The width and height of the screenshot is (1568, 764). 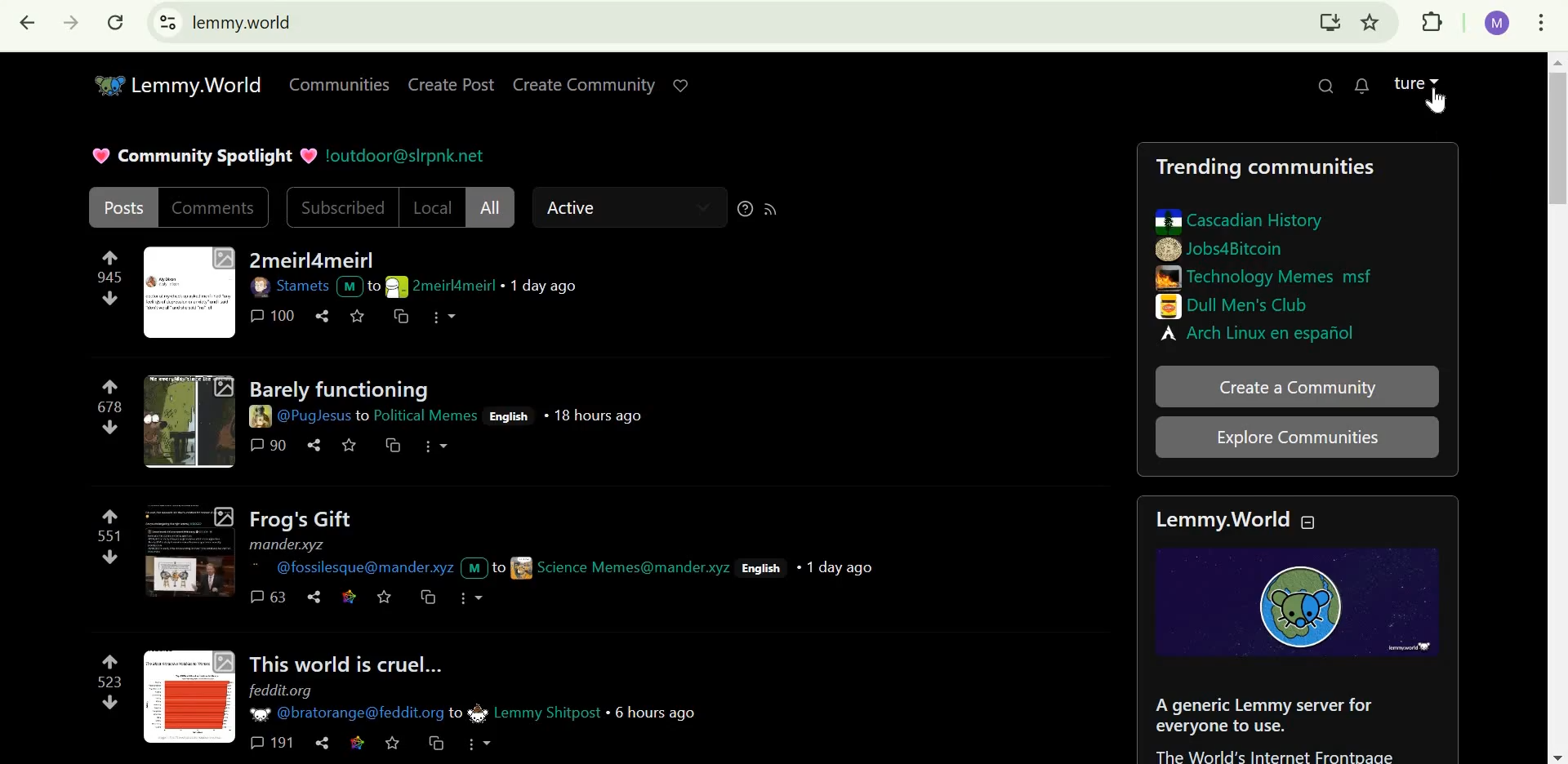 I want to click on upvote, so click(x=109, y=660).